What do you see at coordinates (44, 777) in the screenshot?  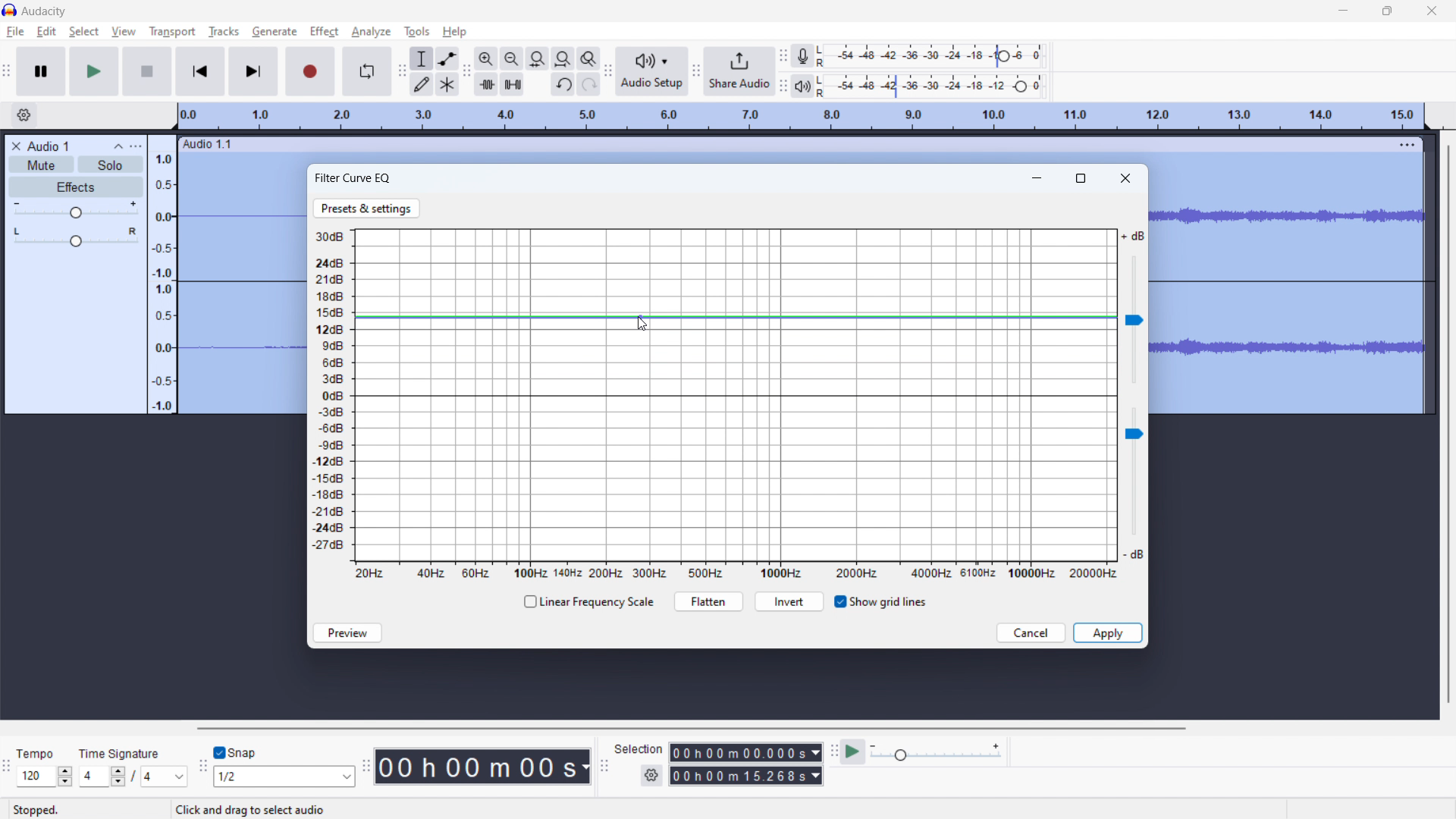 I see `120 (select tempo )` at bounding box center [44, 777].